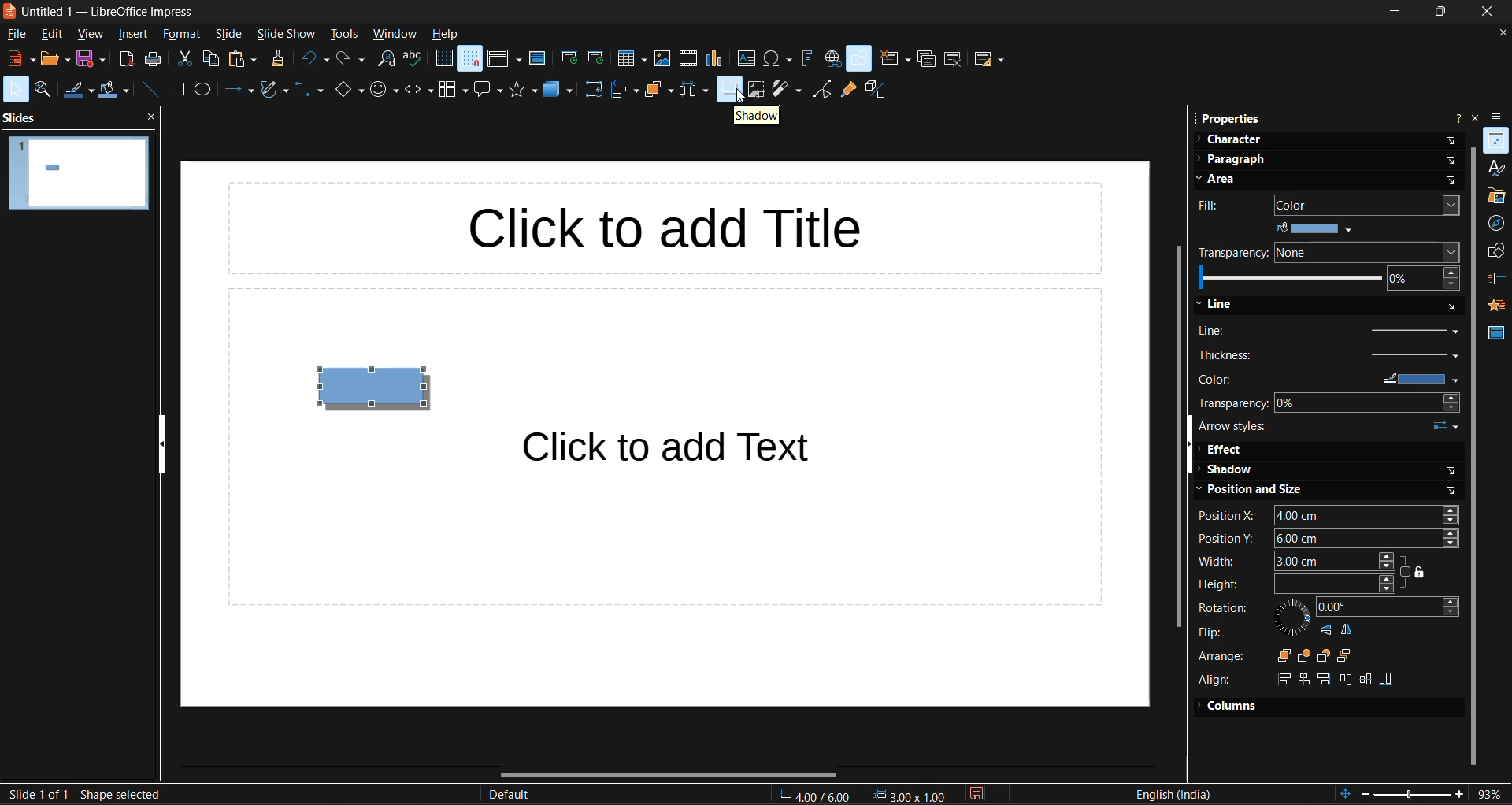 The width and height of the screenshot is (1512, 805). Describe the element at coordinates (570, 60) in the screenshot. I see `start from first slide` at that location.